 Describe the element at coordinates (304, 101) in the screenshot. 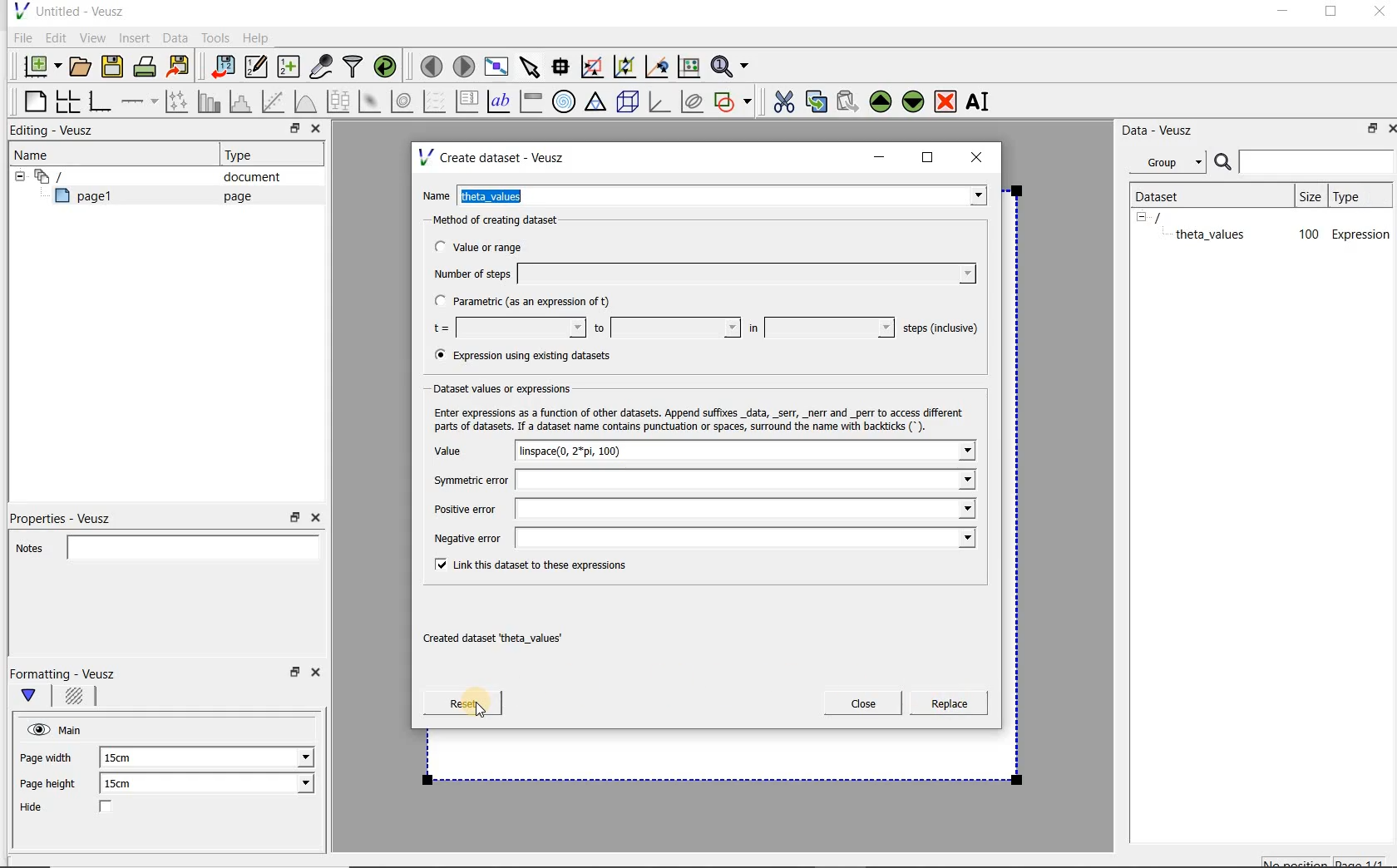

I see `plot a function` at that location.